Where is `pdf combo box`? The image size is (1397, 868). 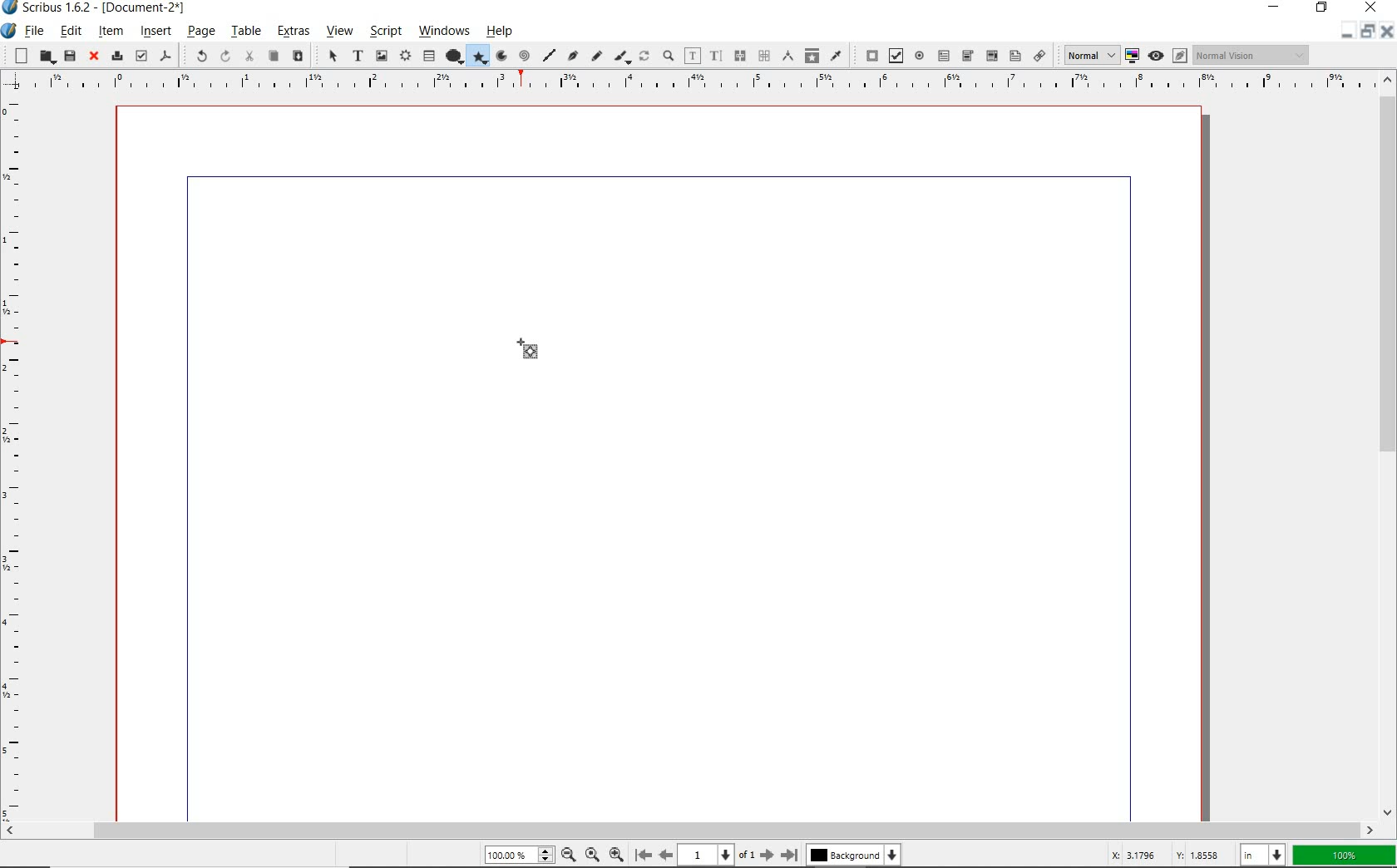 pdf combo box is located at coordinates (990, 56).